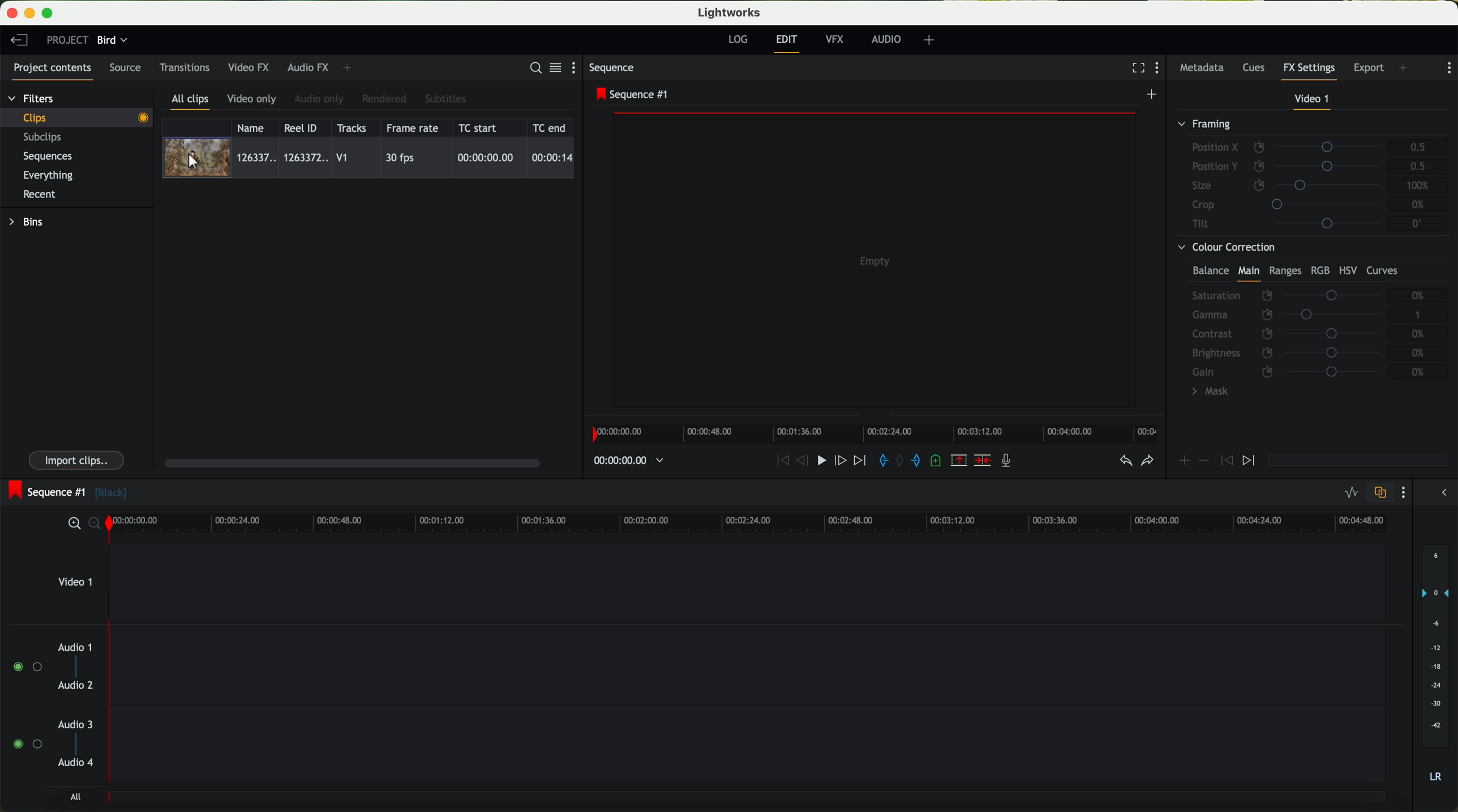 The width and height of the screenshot is (1458, 812). I want to click on cues, so click(1257, 68).